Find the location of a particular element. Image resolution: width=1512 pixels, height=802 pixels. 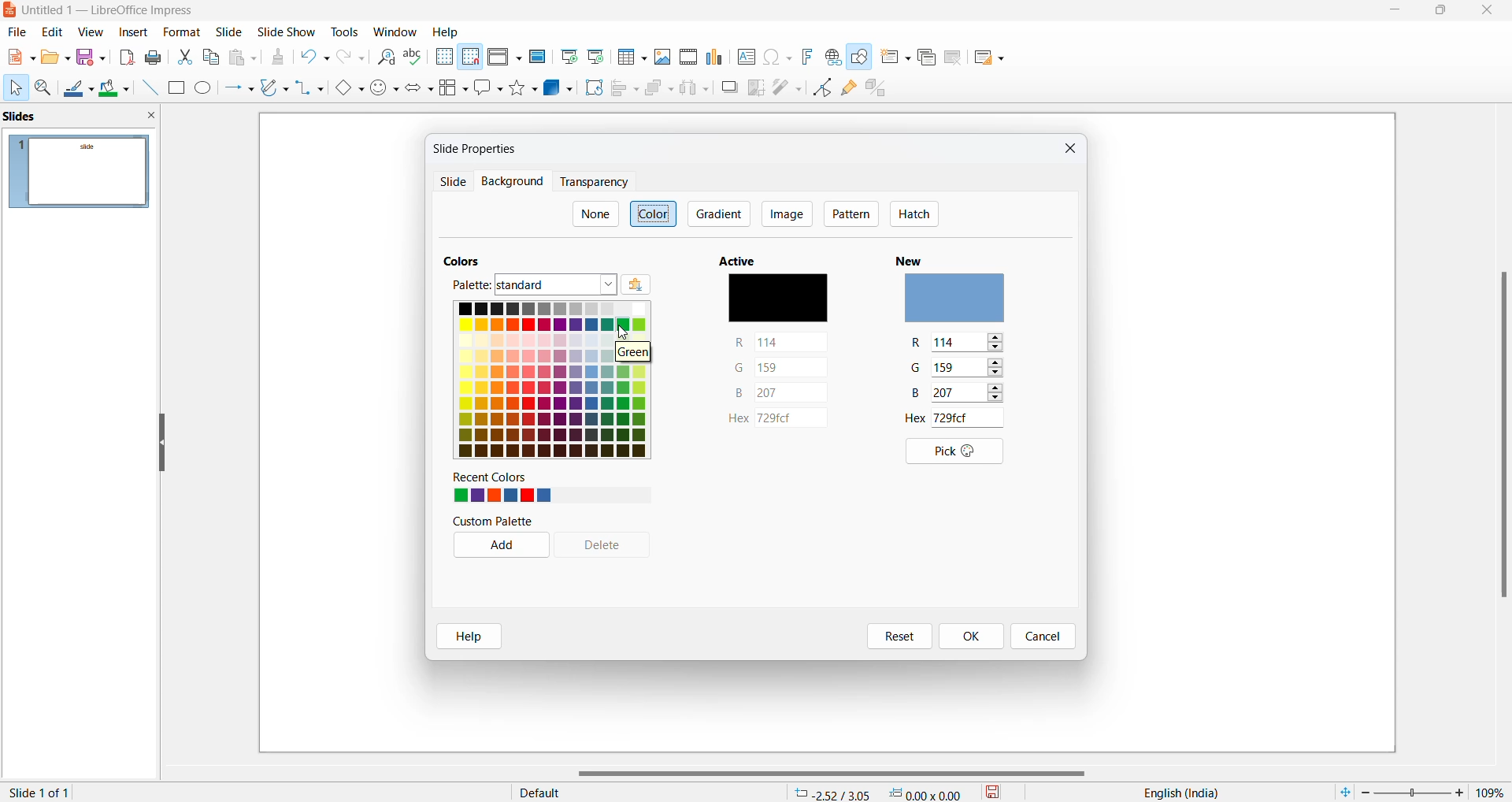

insert hyperlink is located at coordinates (832, 57).